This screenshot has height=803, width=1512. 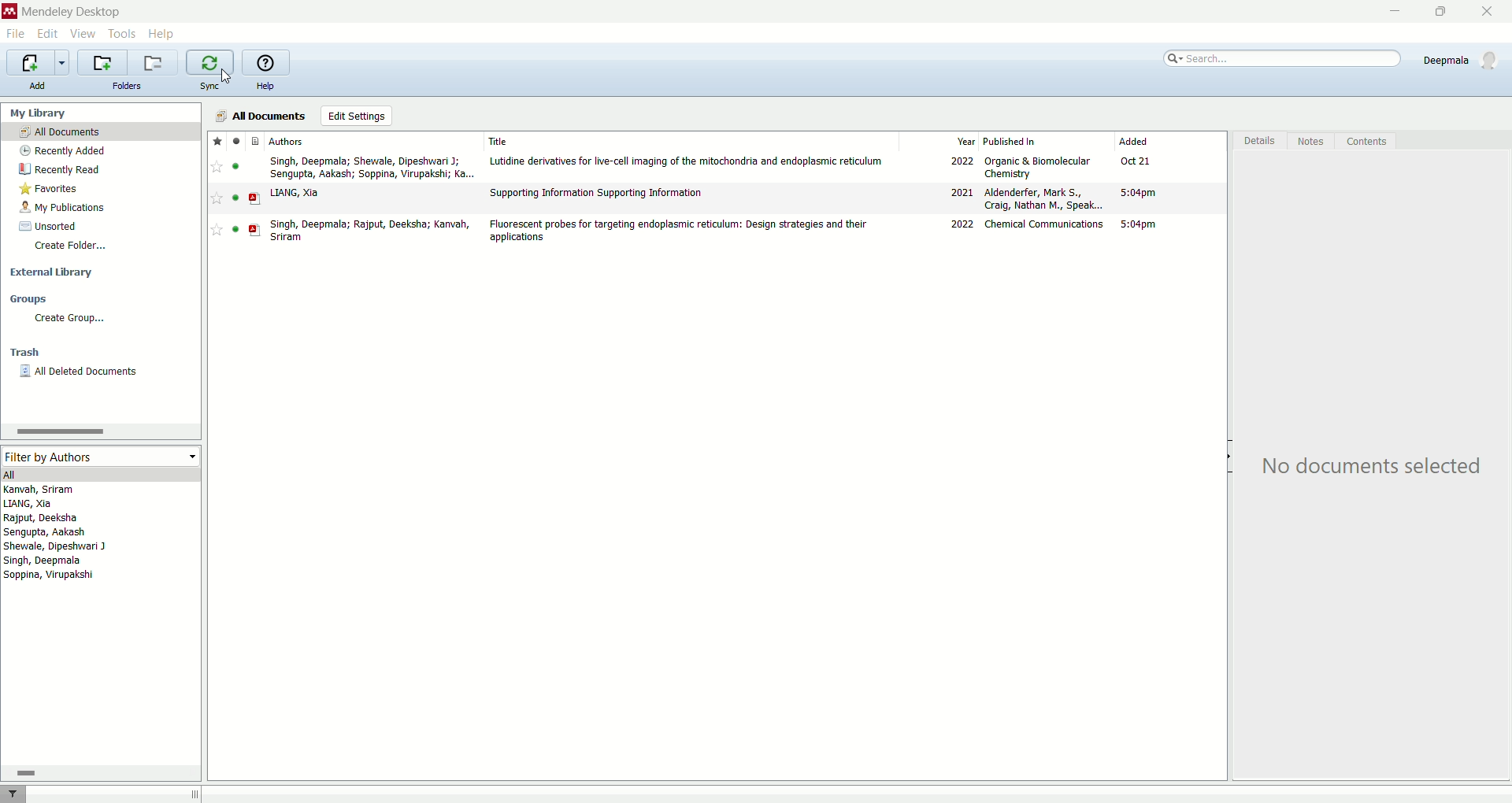 What do you see at coordinates (47, 188) in the screenshot?
I see `favorites` at bounding box center [47, 188].